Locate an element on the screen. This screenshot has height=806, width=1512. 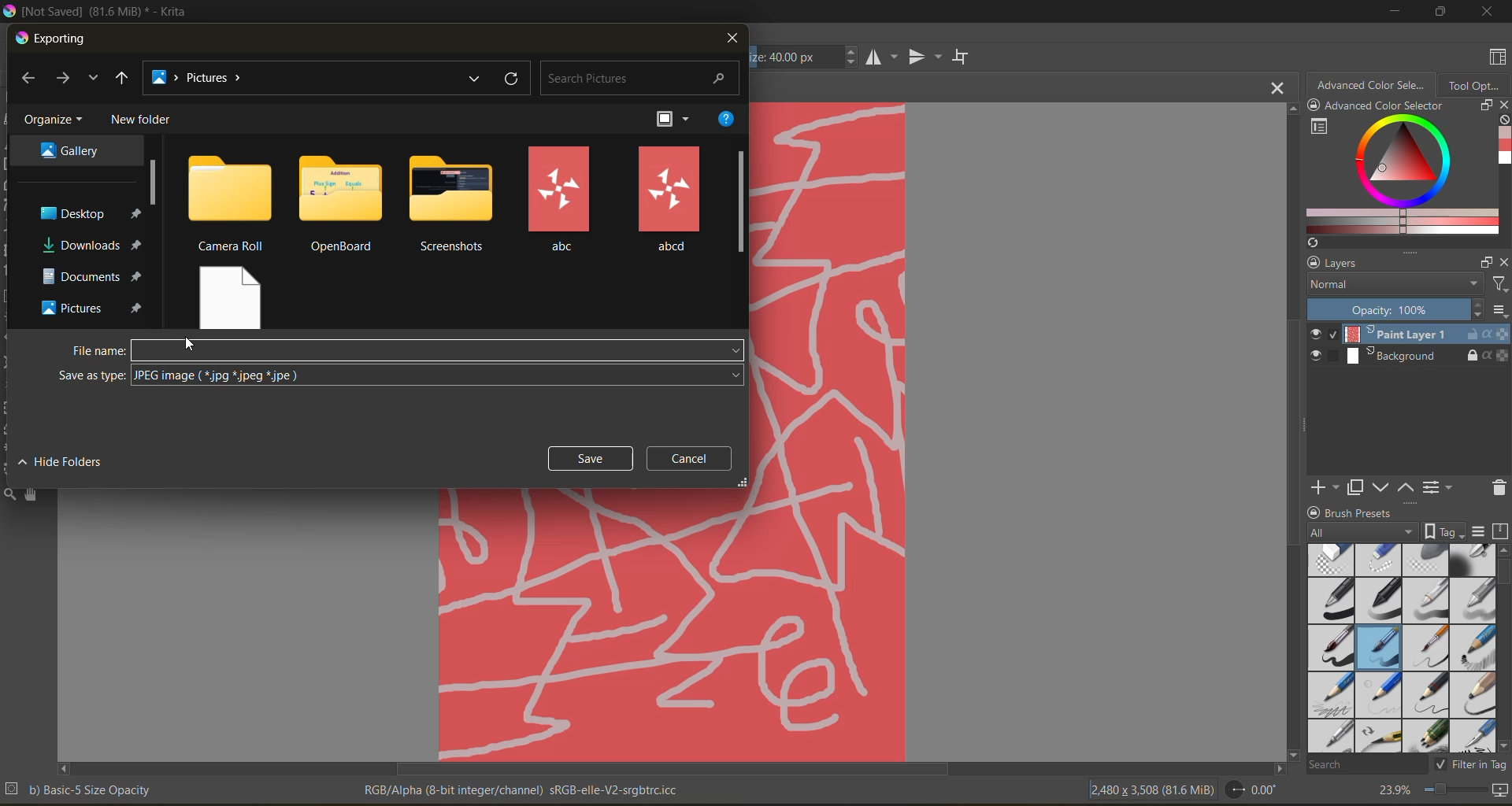
filters is located at coordinates (1499, 285).